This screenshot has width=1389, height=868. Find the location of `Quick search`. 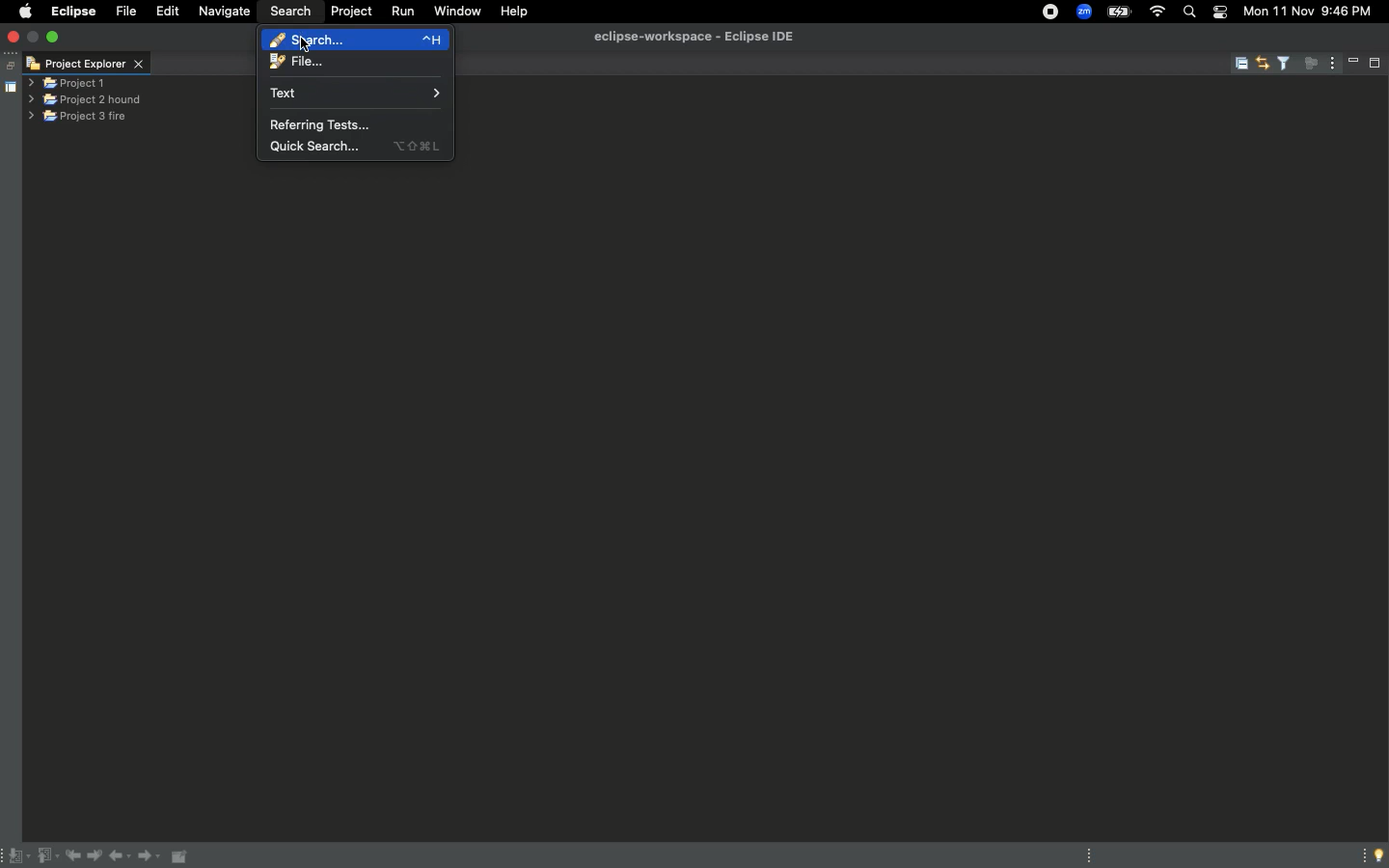

Quick search is located at coordinates (356, 149).